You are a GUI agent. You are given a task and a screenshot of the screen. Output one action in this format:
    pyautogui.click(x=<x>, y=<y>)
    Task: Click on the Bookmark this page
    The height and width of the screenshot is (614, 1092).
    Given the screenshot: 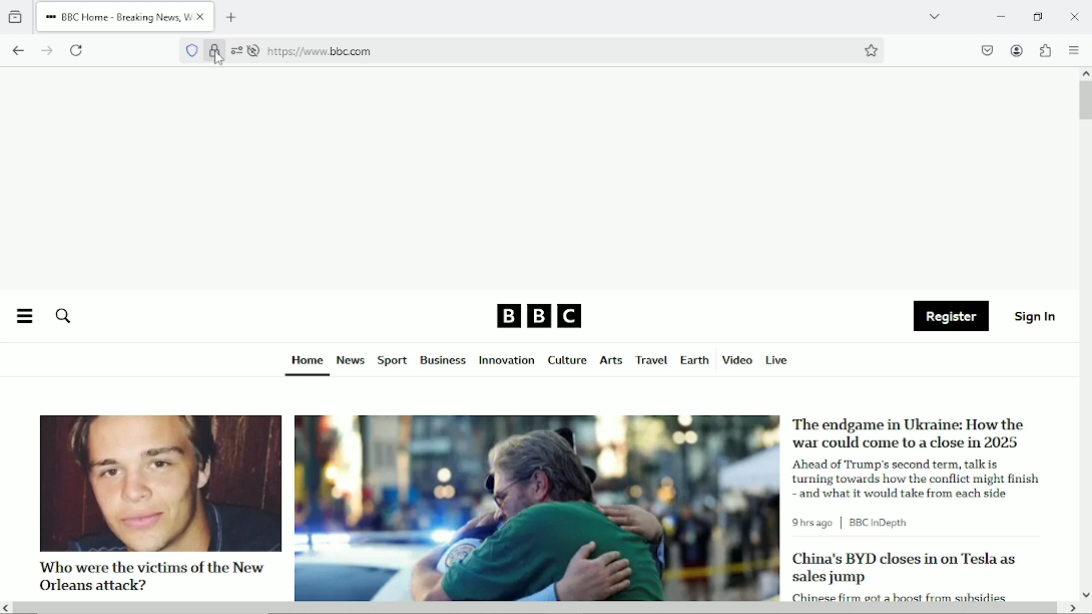 What is the action you would take?
    pyautogui.click(x=870, y=50)
    